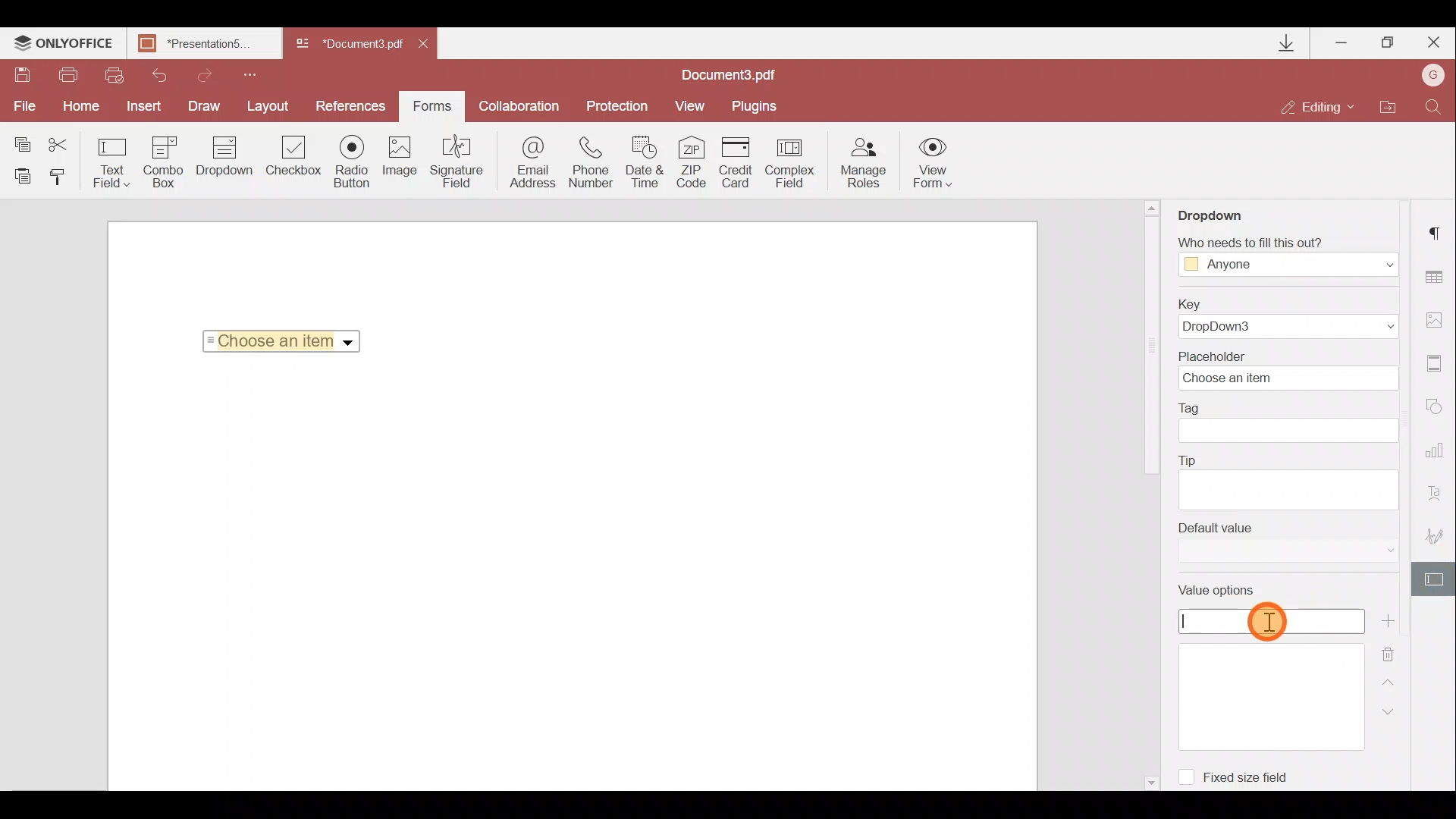 Image resolution: width=1456 pixels, height=819 pixels. Describe the element at coordinates (459, 165) in the screenshot. I see `Signature field` at that location.